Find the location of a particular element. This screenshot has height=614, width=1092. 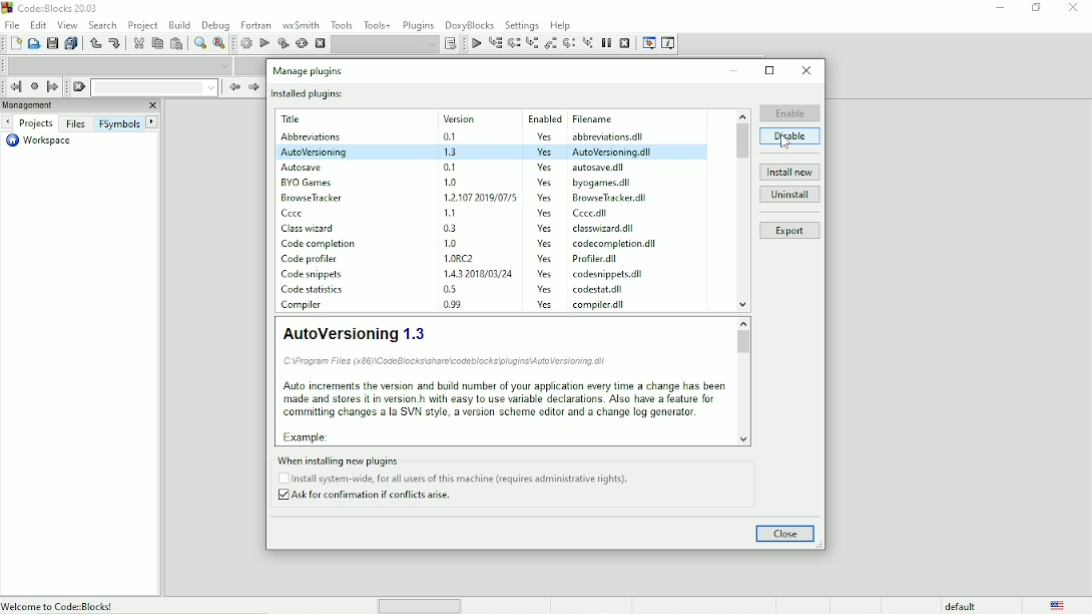

Replace is located at coordinates (219, 44).